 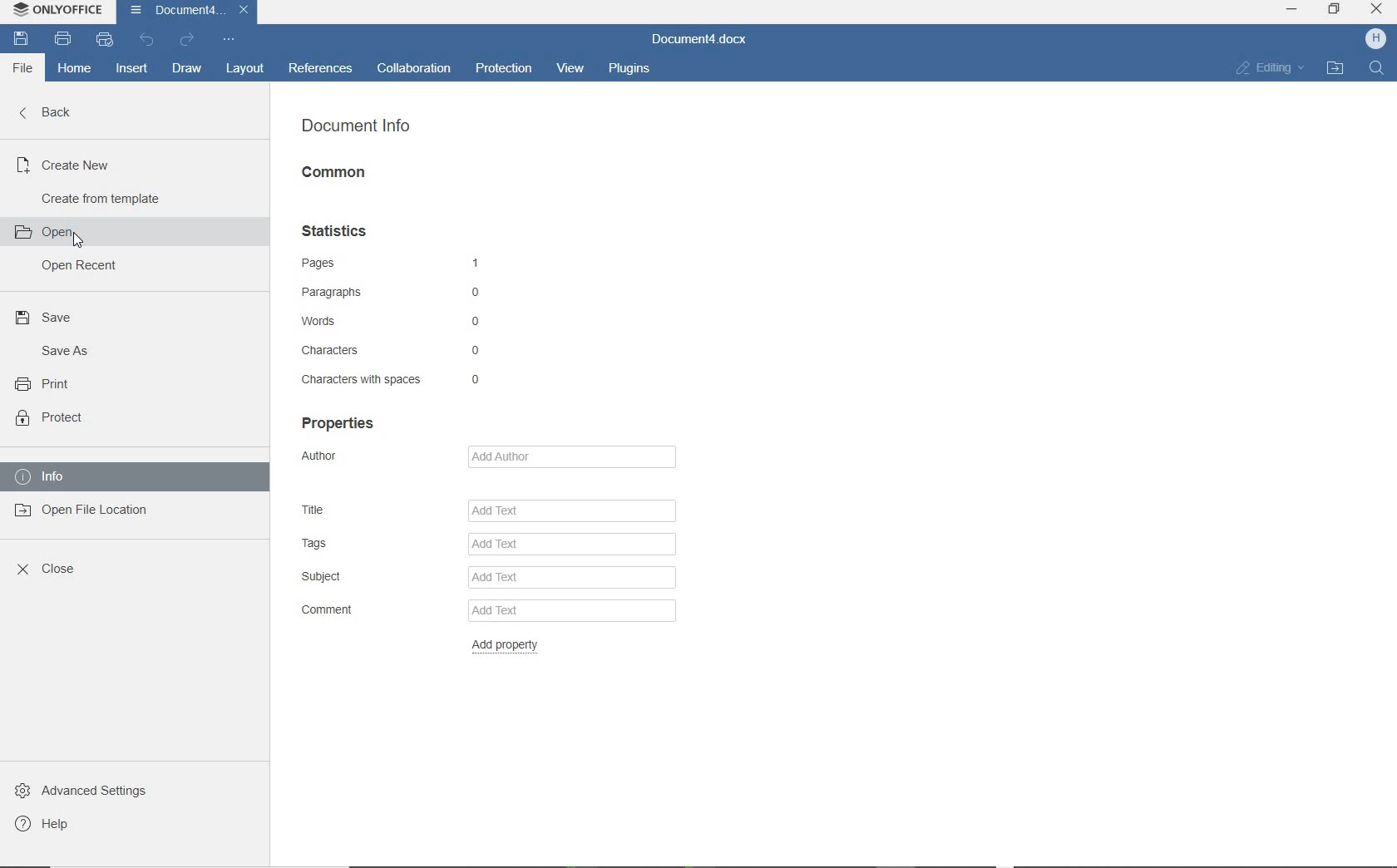 I want to click on Add Text, so click(x=580, y=510).